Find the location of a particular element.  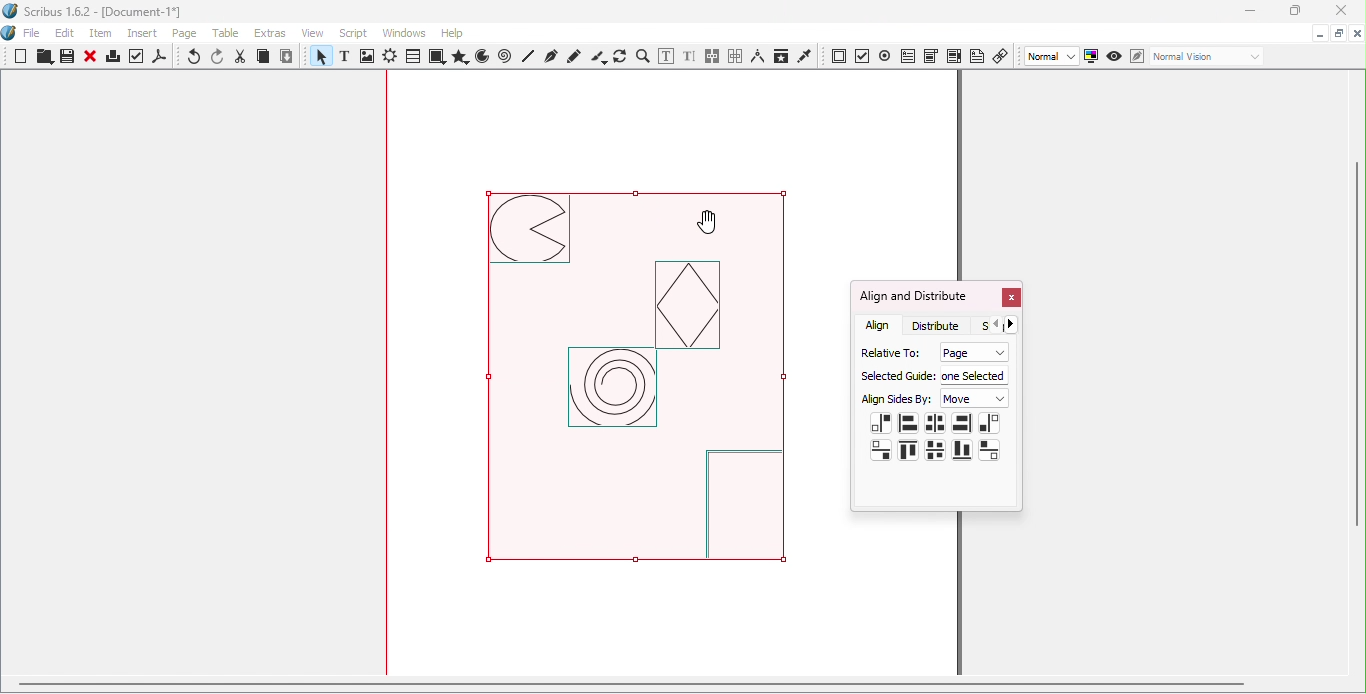

Insert is located at coordinates (145, 31).